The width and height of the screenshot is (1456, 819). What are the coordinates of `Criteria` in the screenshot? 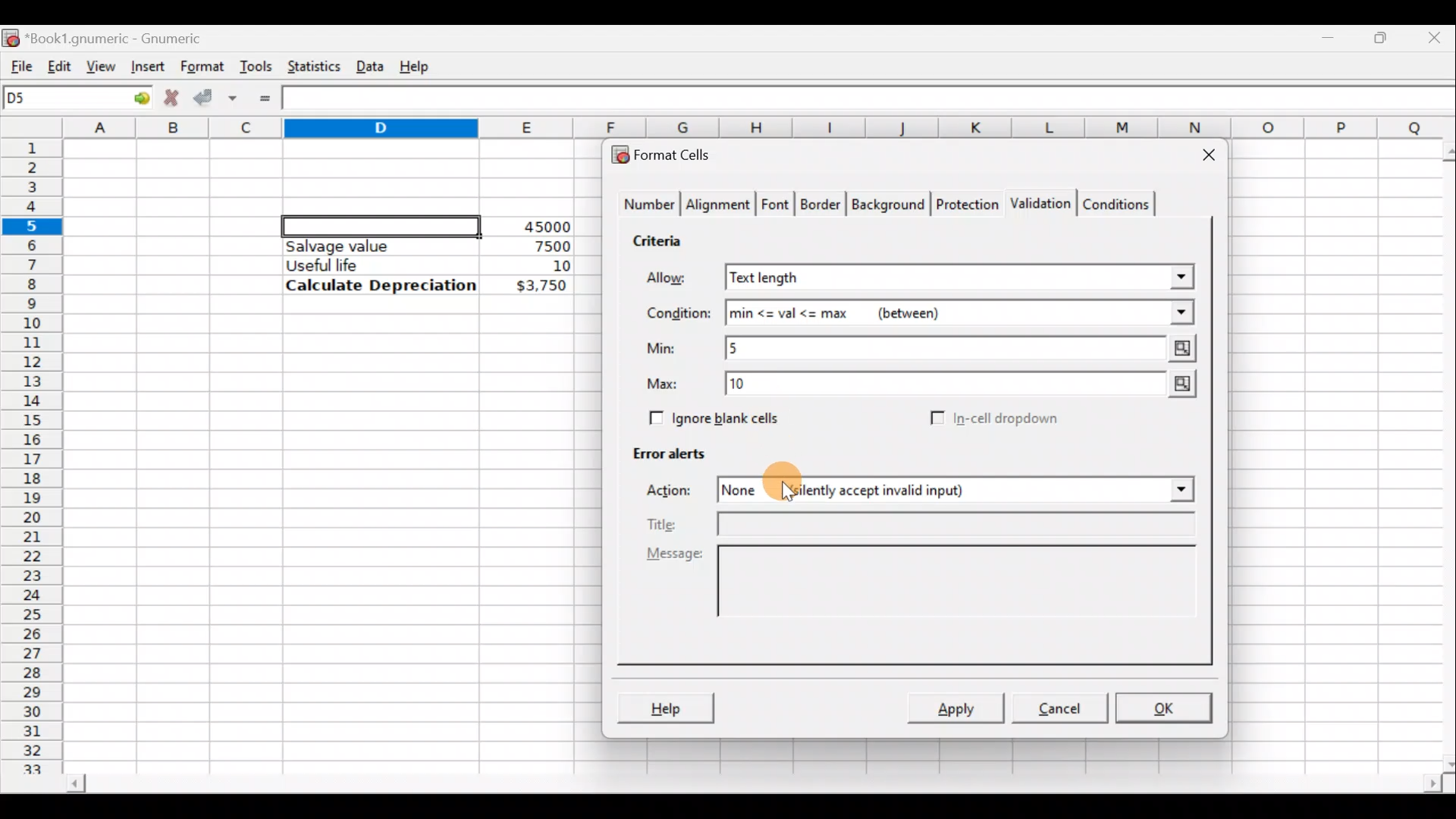 It's located at (663, 238).